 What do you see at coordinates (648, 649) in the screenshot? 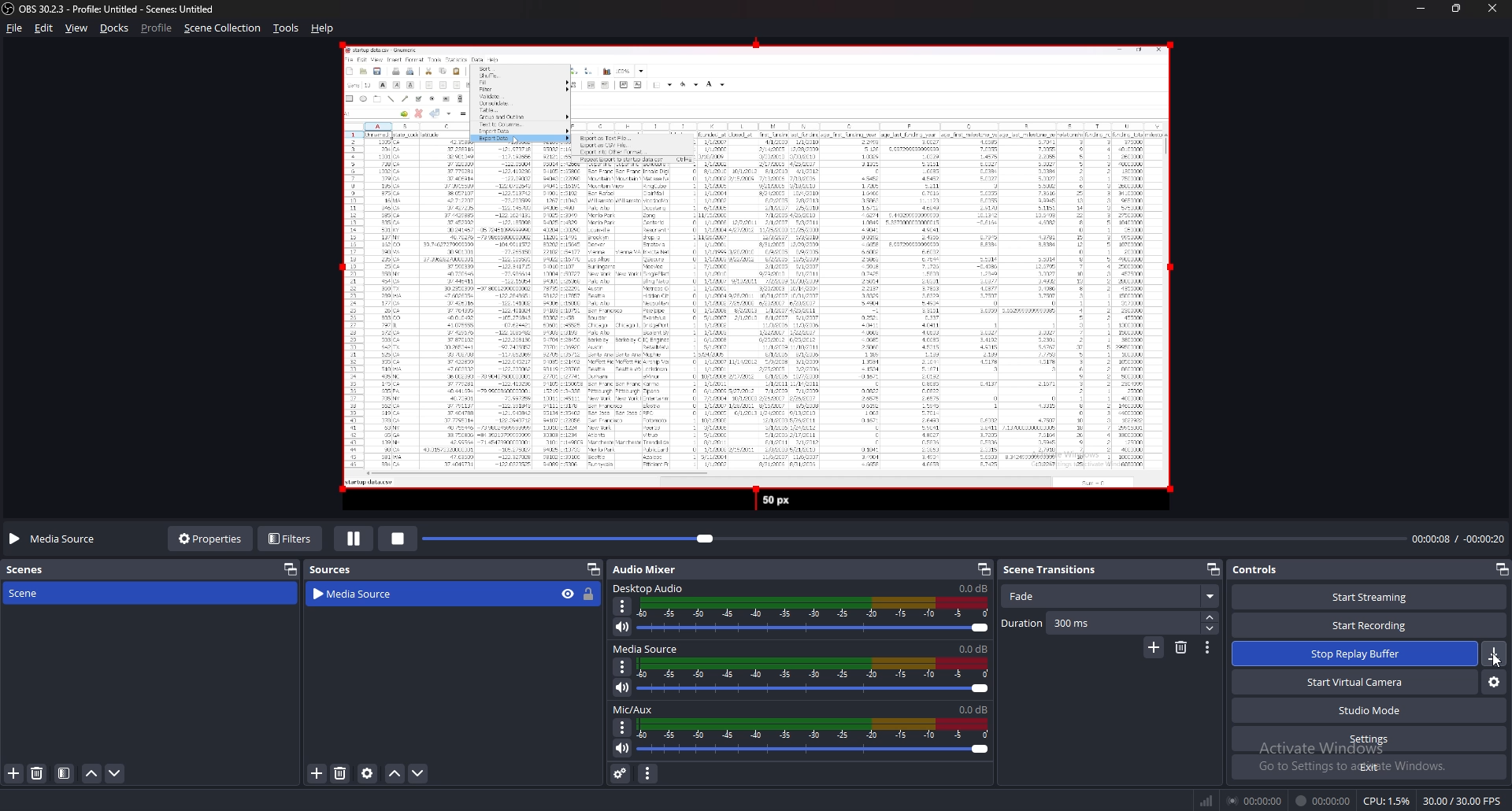
I see `media source` at bounding box center [648, 649].